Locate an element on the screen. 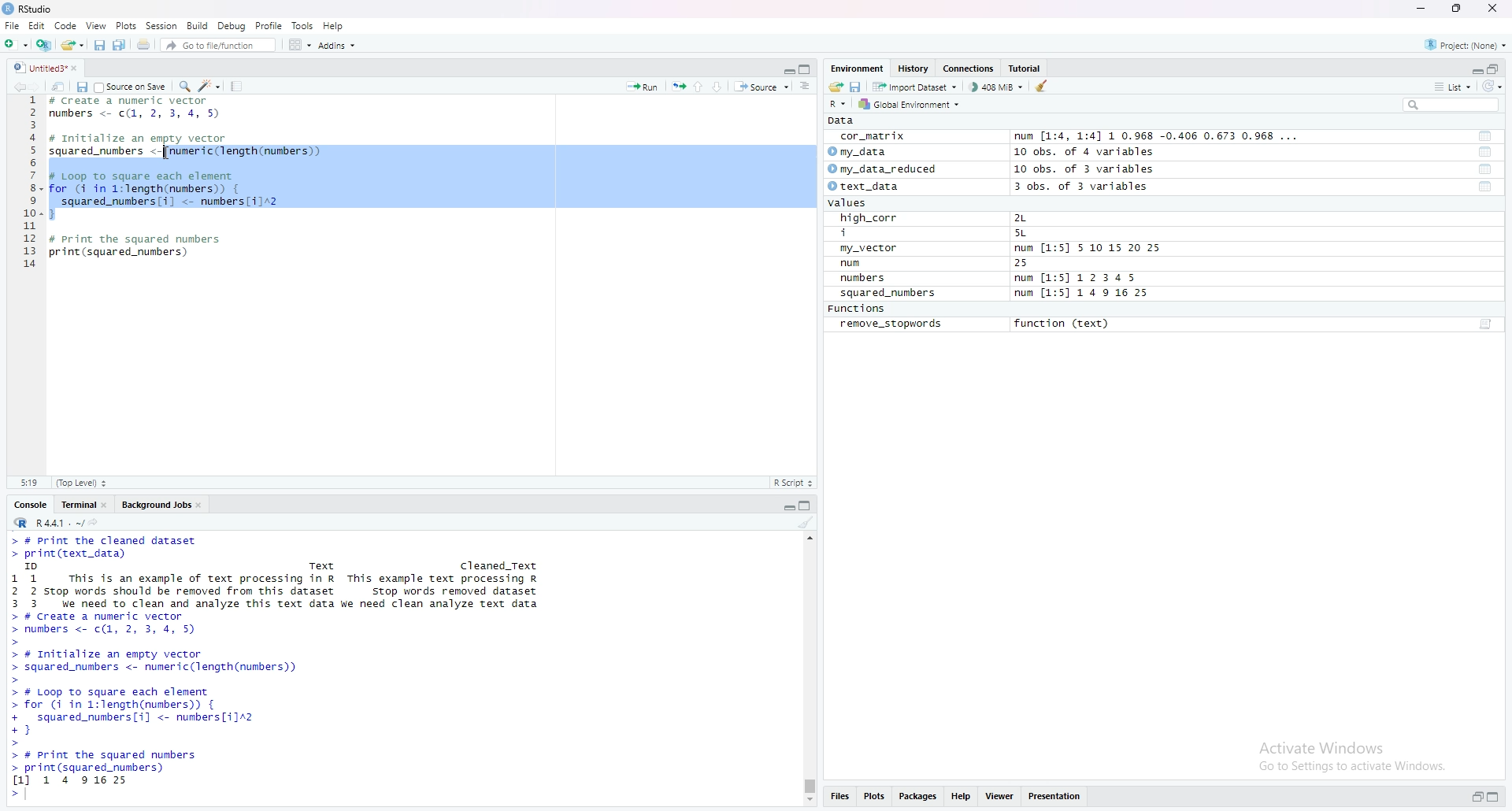  save is located at coordinates (81, 86).